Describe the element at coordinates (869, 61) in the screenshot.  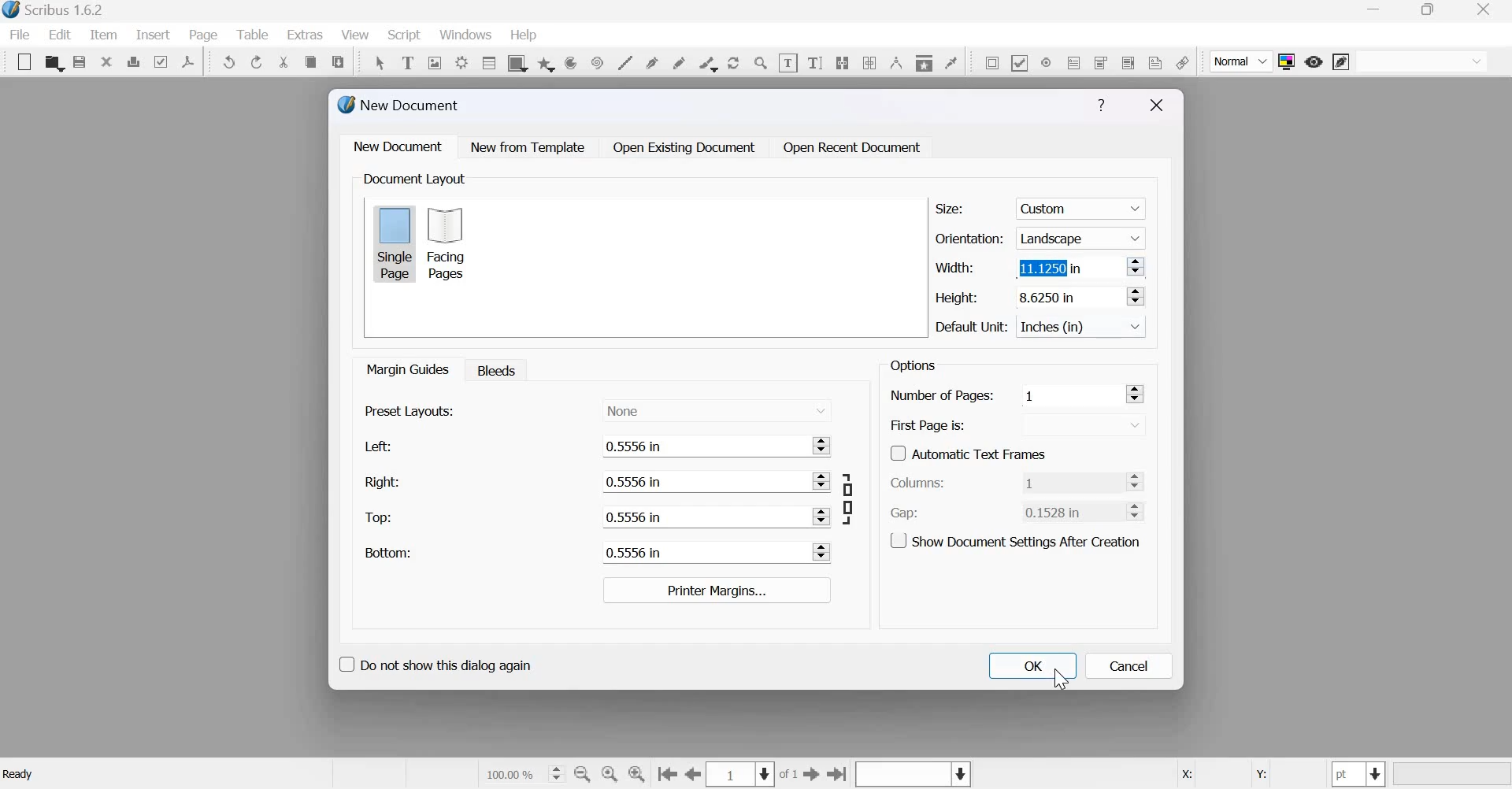
I see `unlink text frames` at that location.